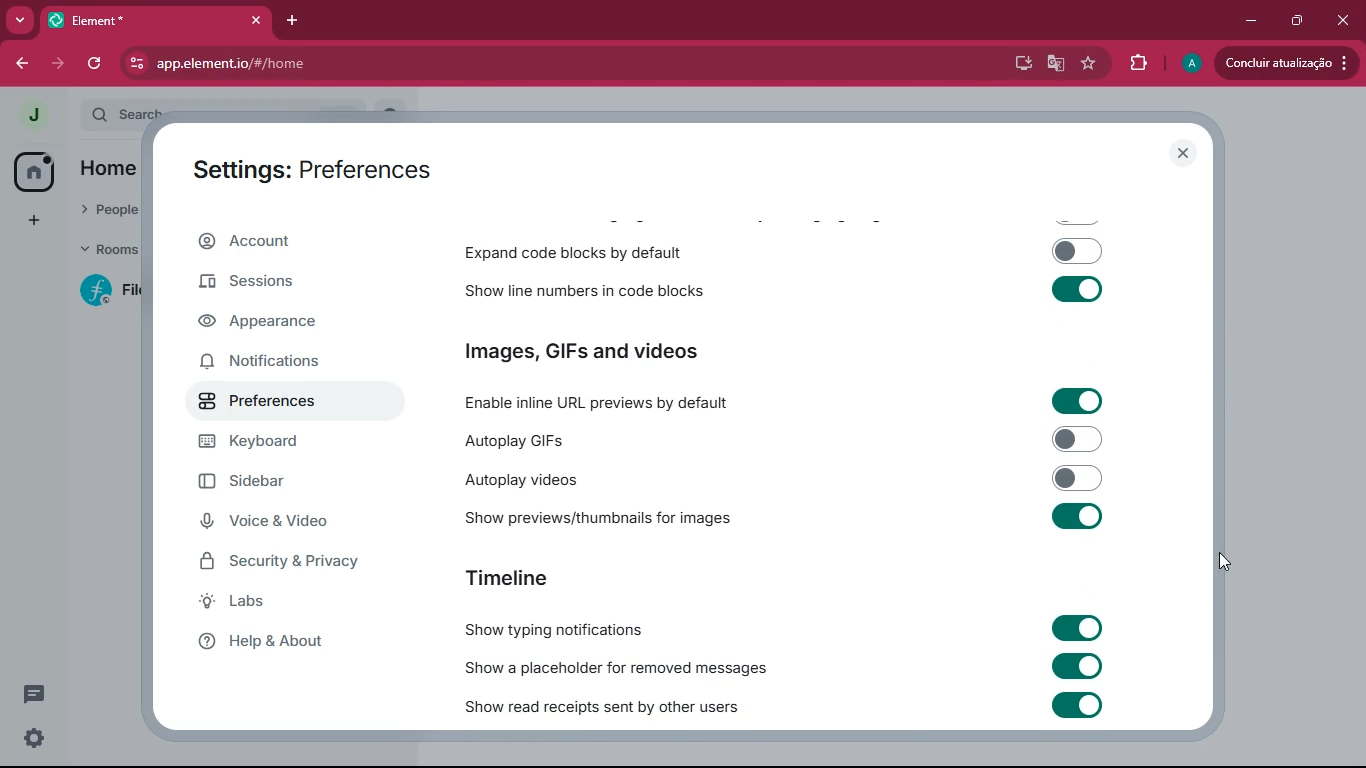 The width and height of the screenshot is (1366, 768). I want to click on help & about, so click(288, 643).